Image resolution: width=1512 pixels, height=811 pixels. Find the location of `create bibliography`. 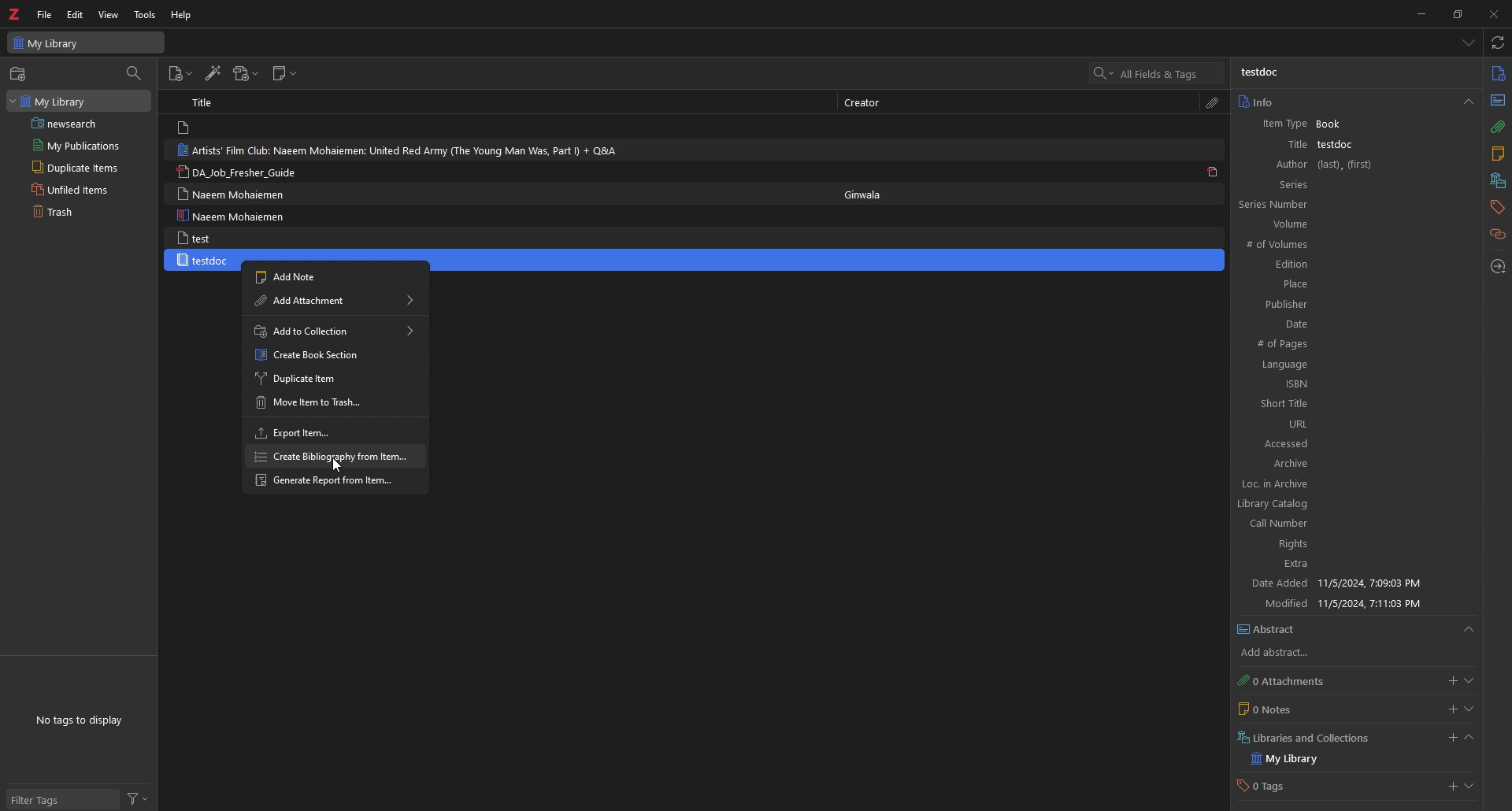

create bibliography is located at coordinates (334, 456).